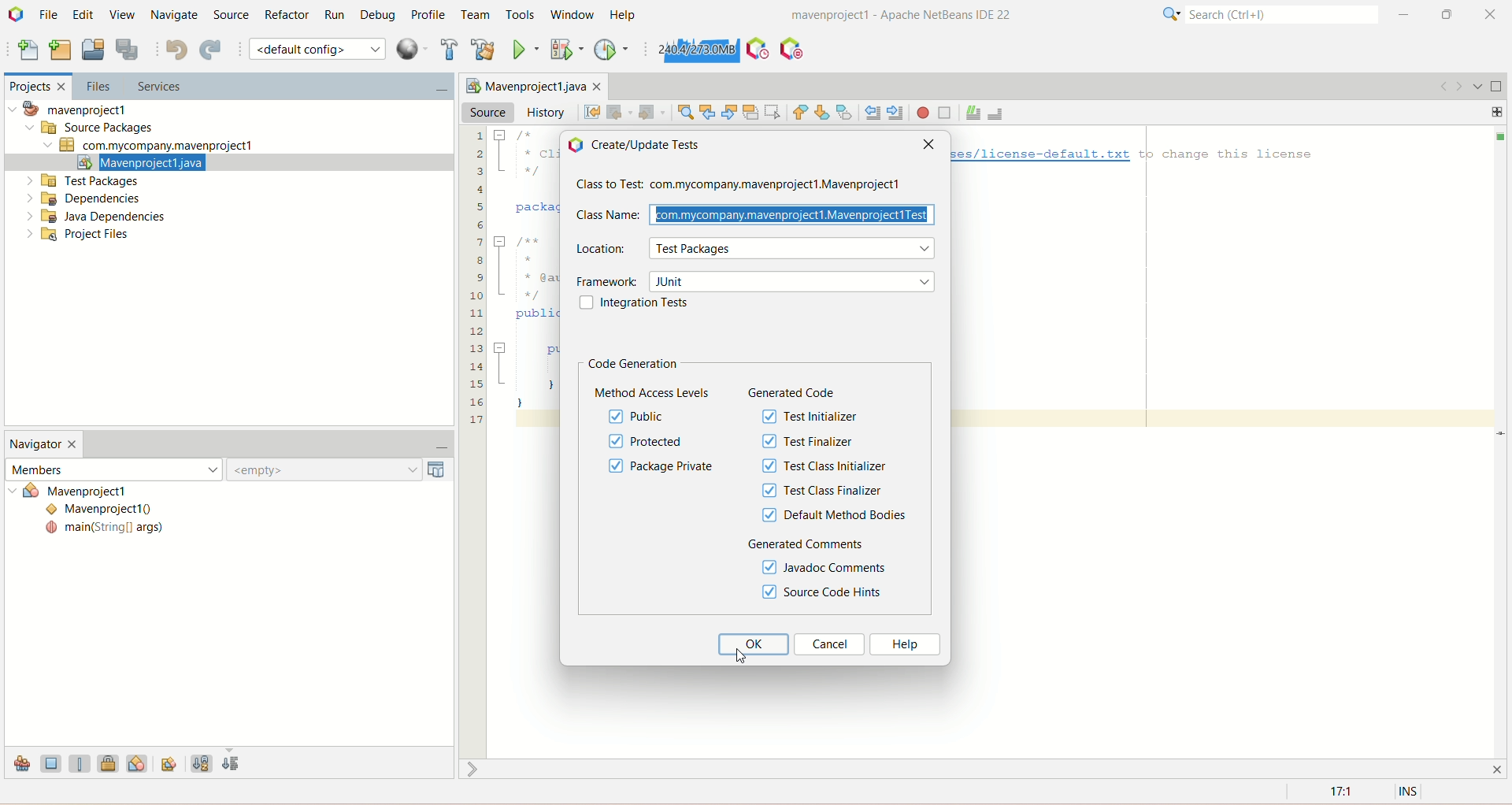 The height and width of the screenshot is (805, 1512). I want to click on next bookmark, so click(825, 111).